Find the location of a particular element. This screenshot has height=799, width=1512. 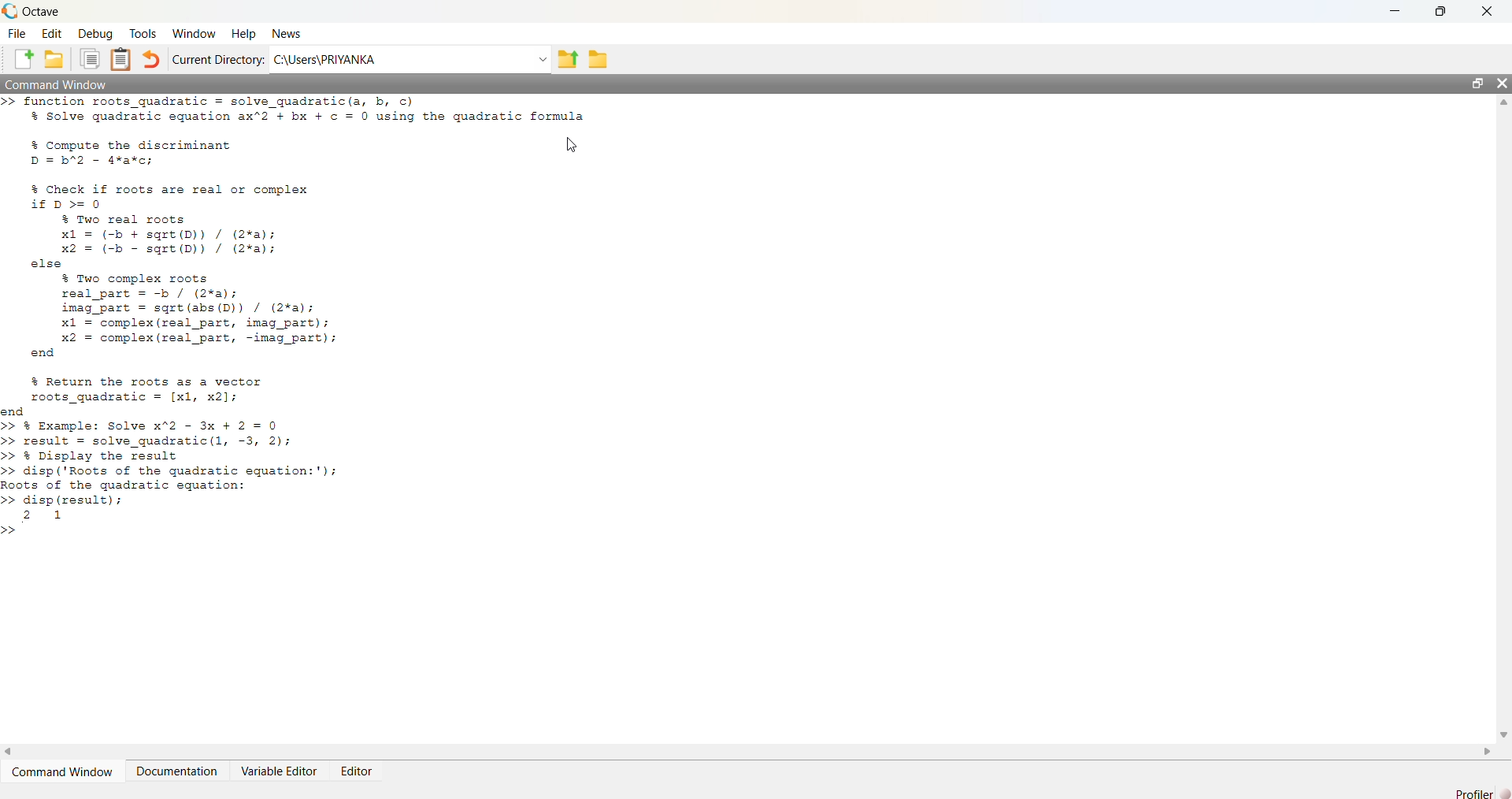

Browse directories is located at coordinates (597, 58).